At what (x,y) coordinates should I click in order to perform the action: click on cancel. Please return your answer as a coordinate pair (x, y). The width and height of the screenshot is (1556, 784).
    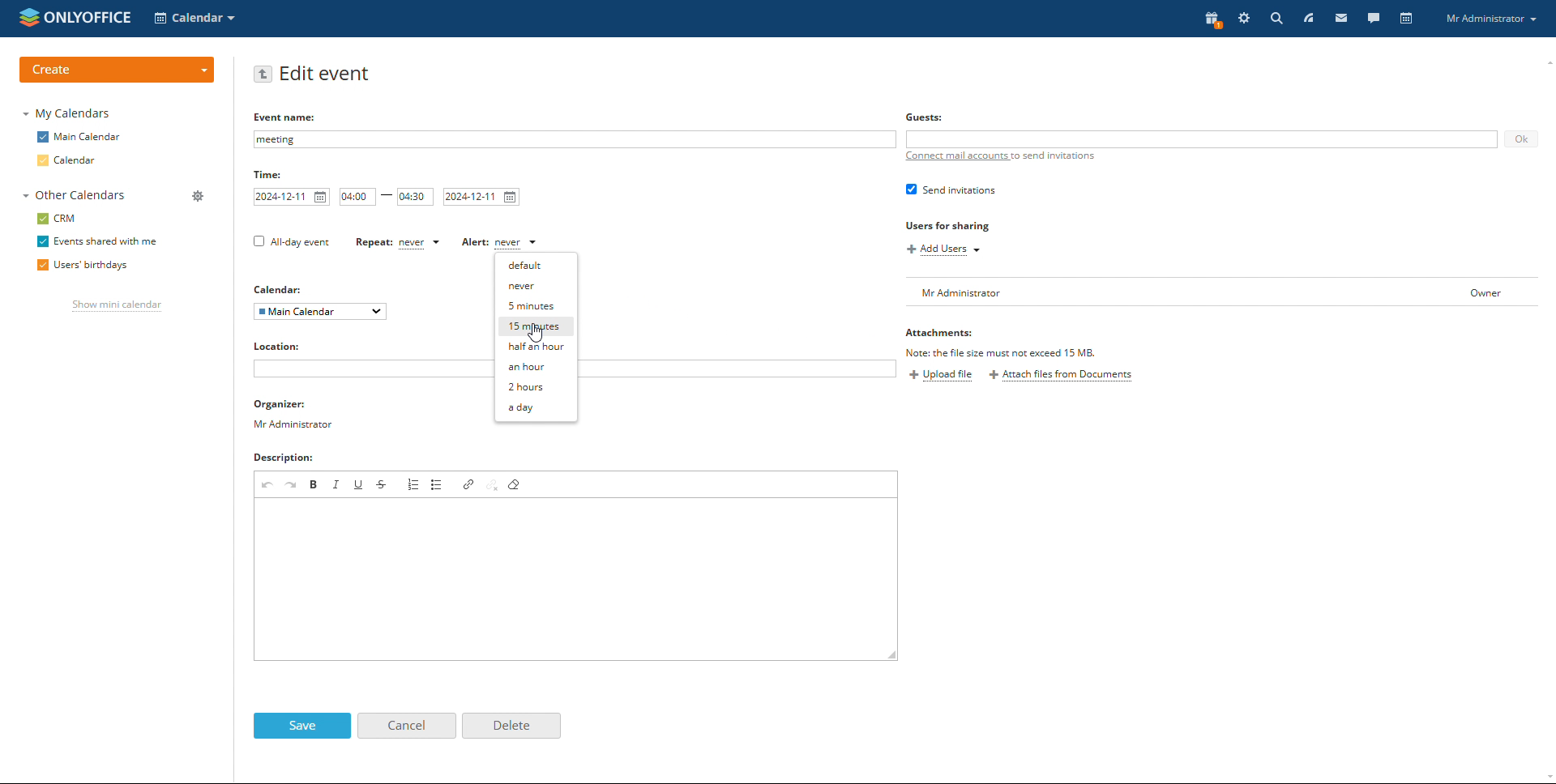
    Looking at the image, I should click on (406, 725).